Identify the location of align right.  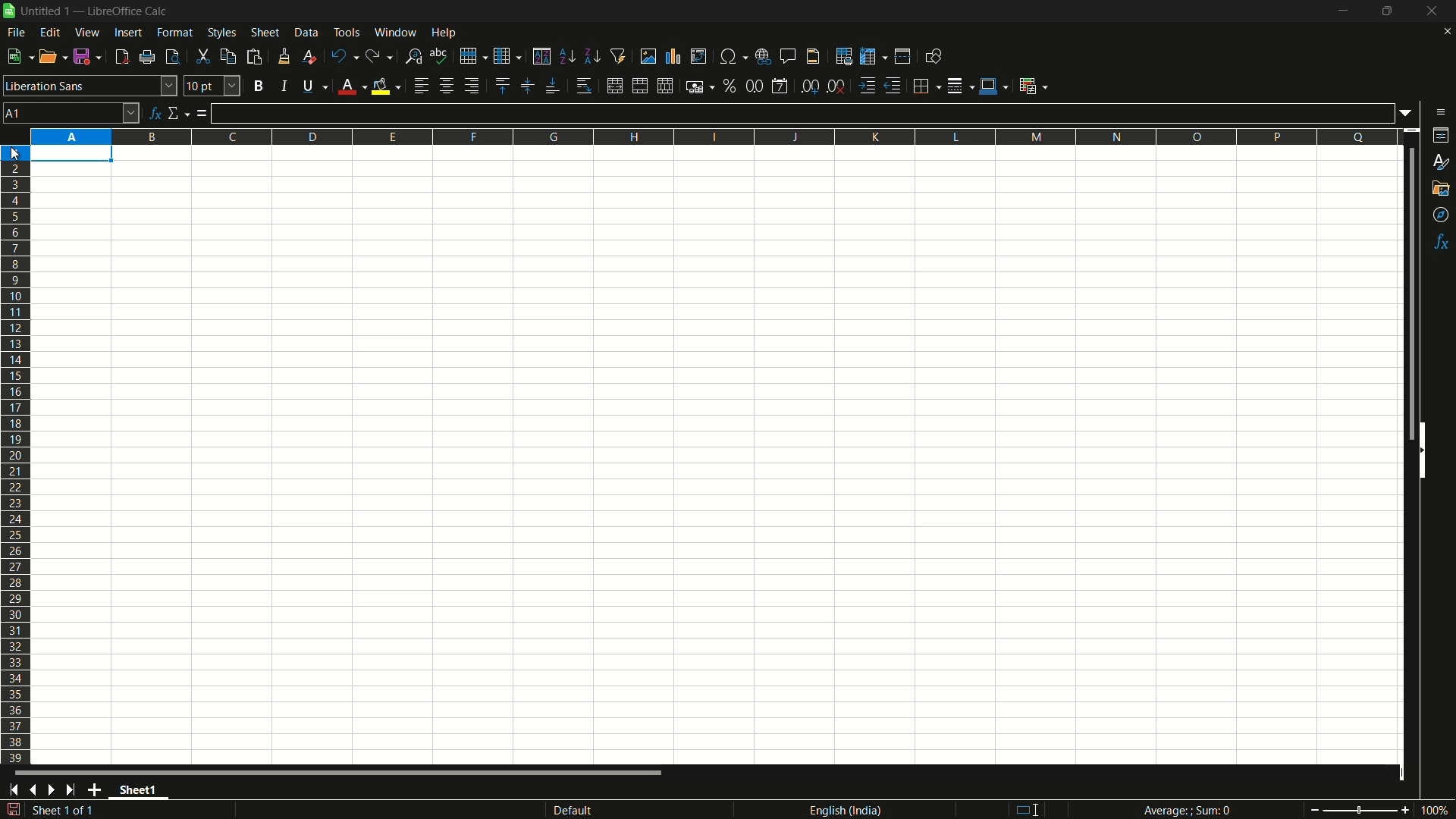
(470, 86).